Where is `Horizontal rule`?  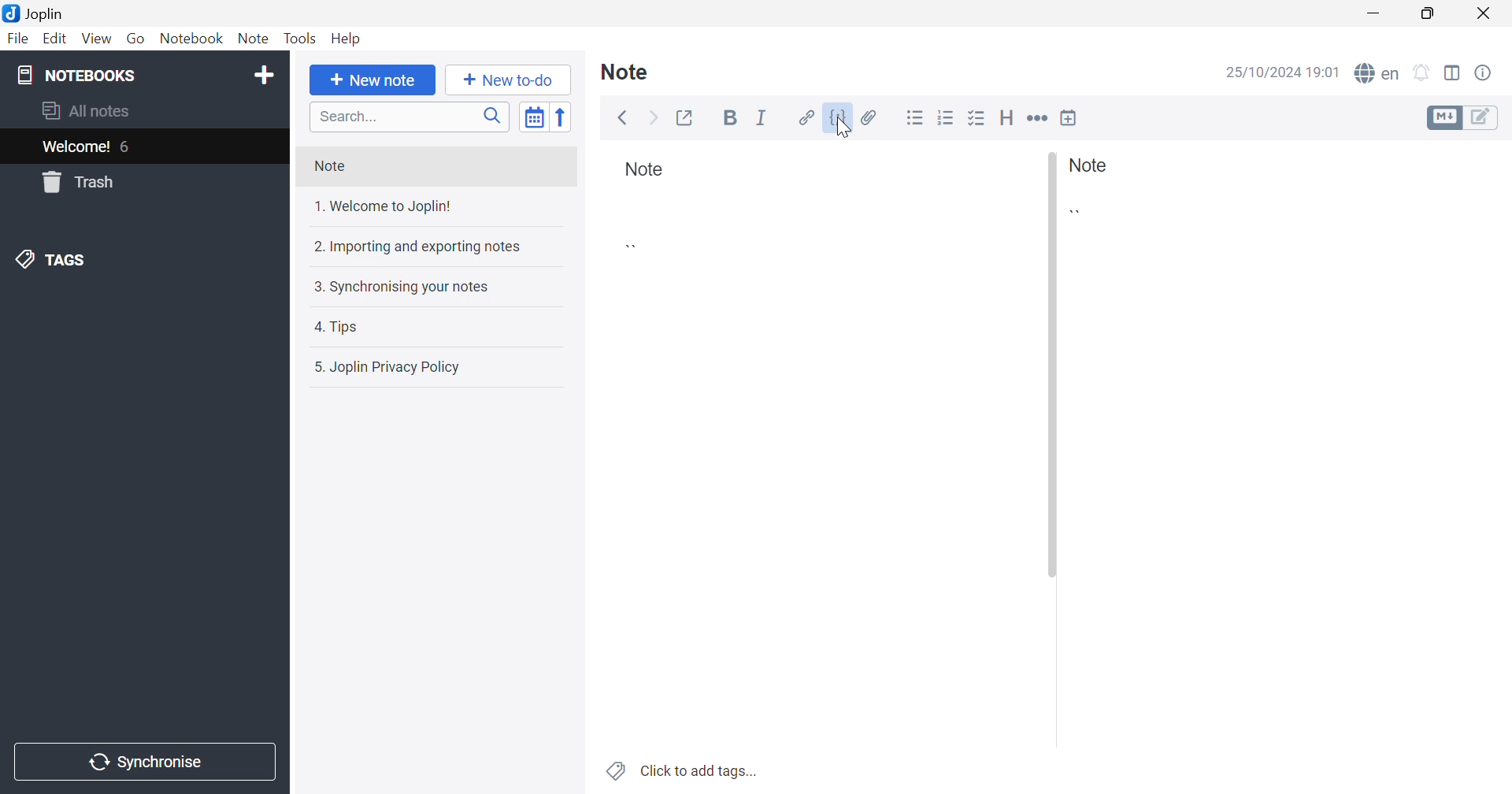
Horizontal rule is located at coordinates (1037, 121).